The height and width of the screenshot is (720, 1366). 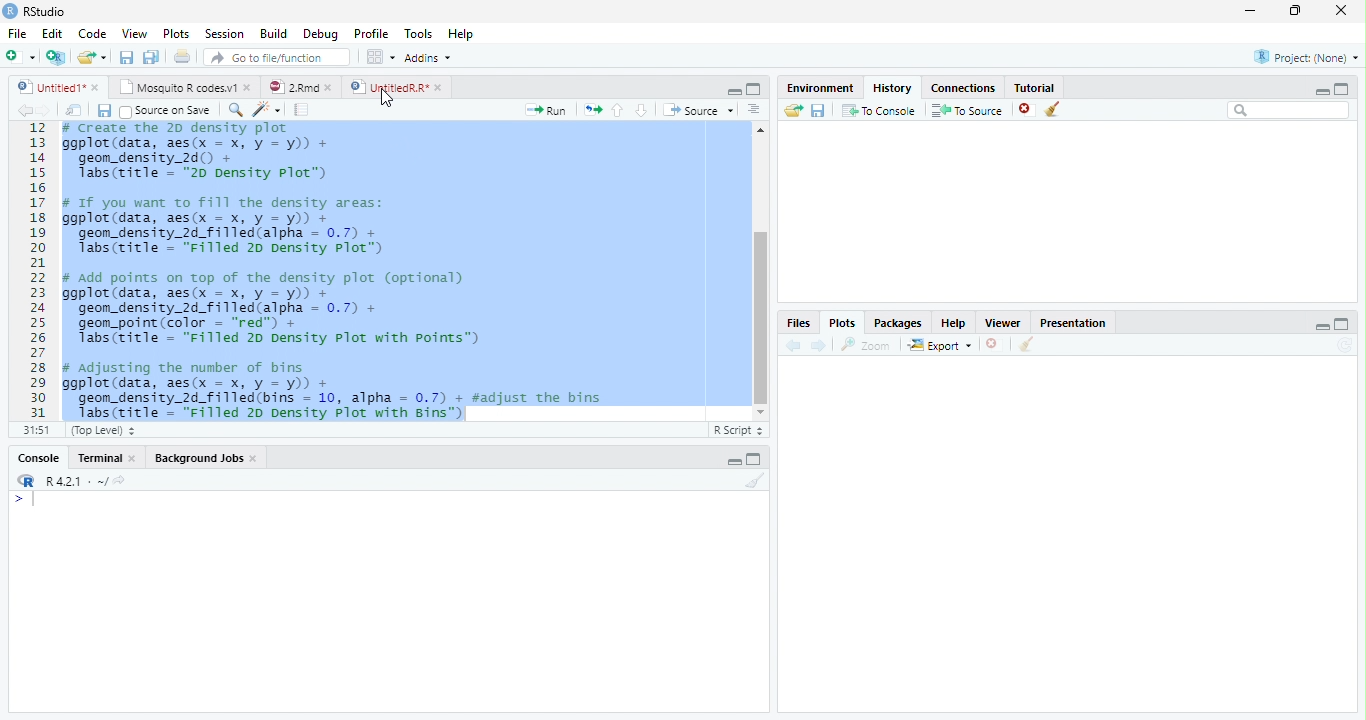 What do you see at coordinates (592, 109) in the screenshot?
I see `re-run the previous code` at bounding box center [592, 109].